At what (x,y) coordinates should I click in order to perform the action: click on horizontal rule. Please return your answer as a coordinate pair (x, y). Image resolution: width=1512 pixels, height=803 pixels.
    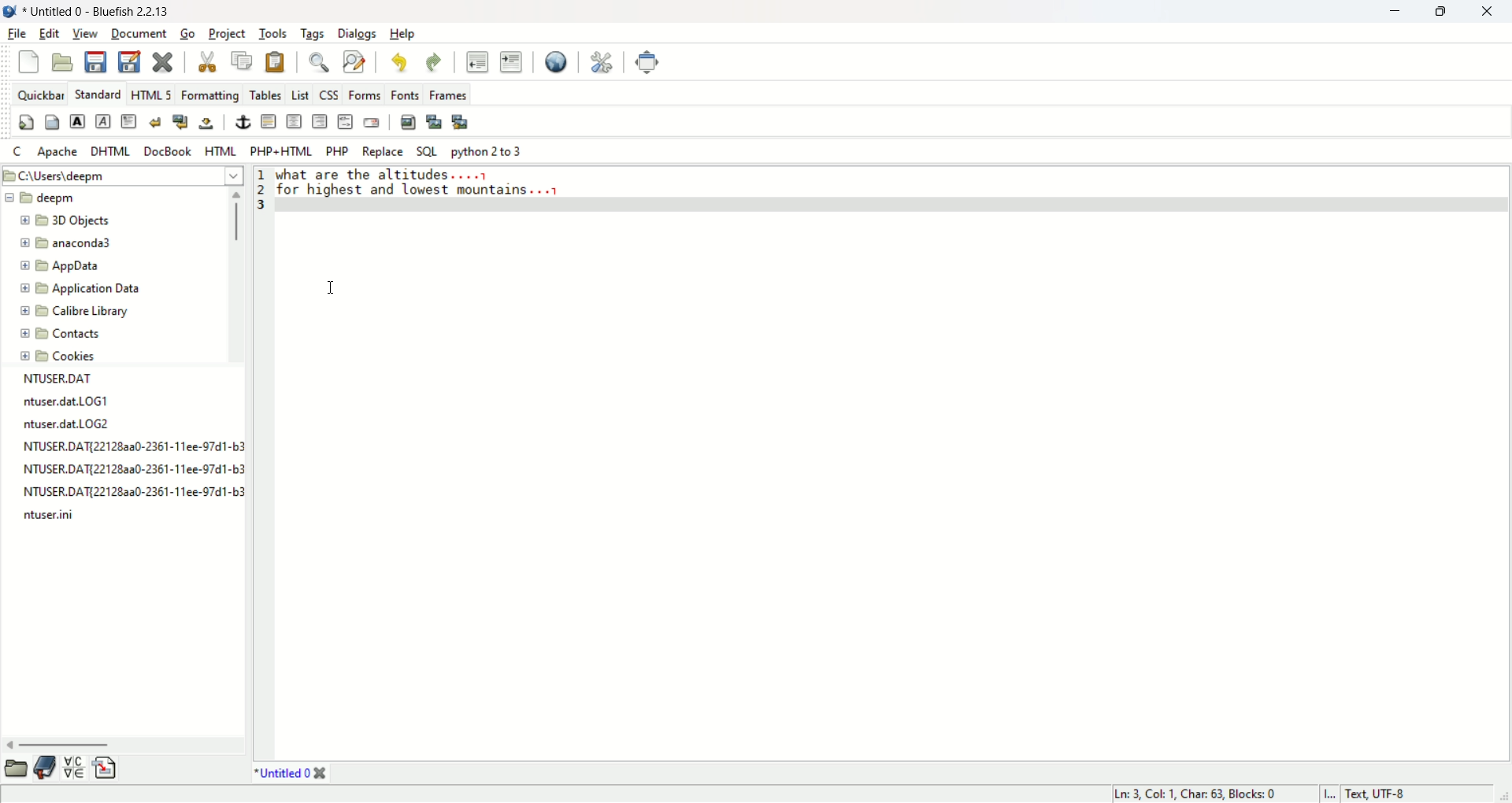
    Looking at the image, I should click on (267, 121).